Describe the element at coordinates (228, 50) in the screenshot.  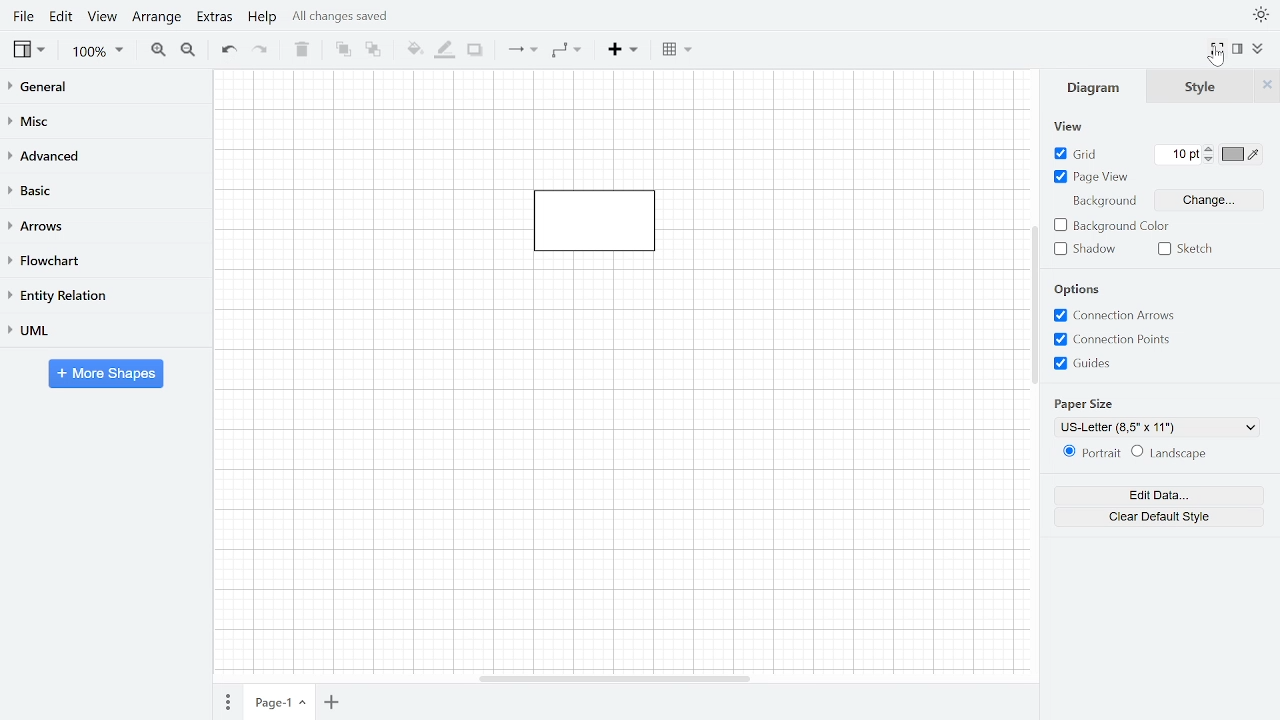
I see `Undo` at that location.